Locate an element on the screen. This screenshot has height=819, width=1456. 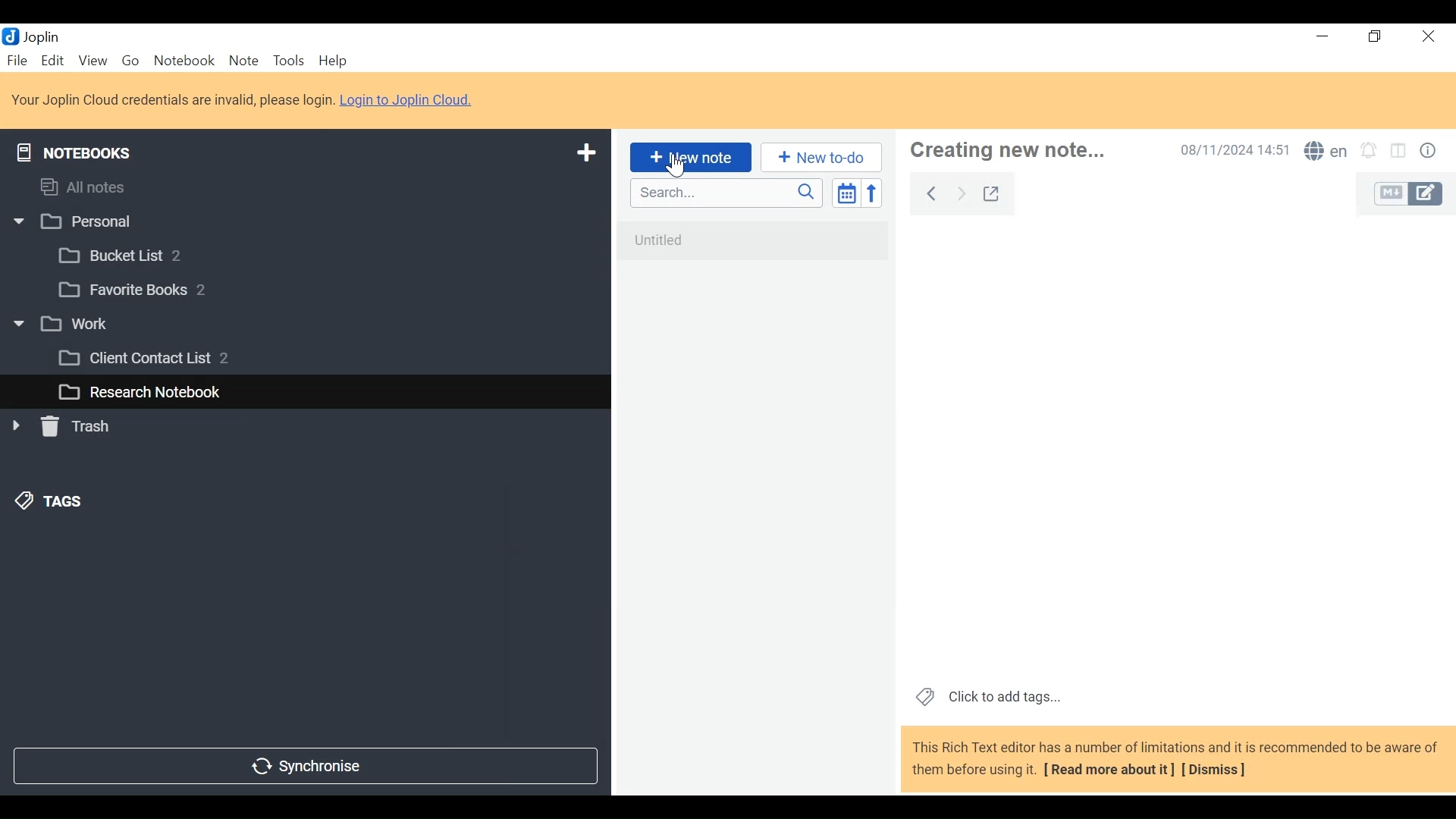
This Rich Text editor has a number of limitations and it is recommended to be aware of
them before using it. [ Read more about it] [Dismiss] is located at coordinates (1175, 758).